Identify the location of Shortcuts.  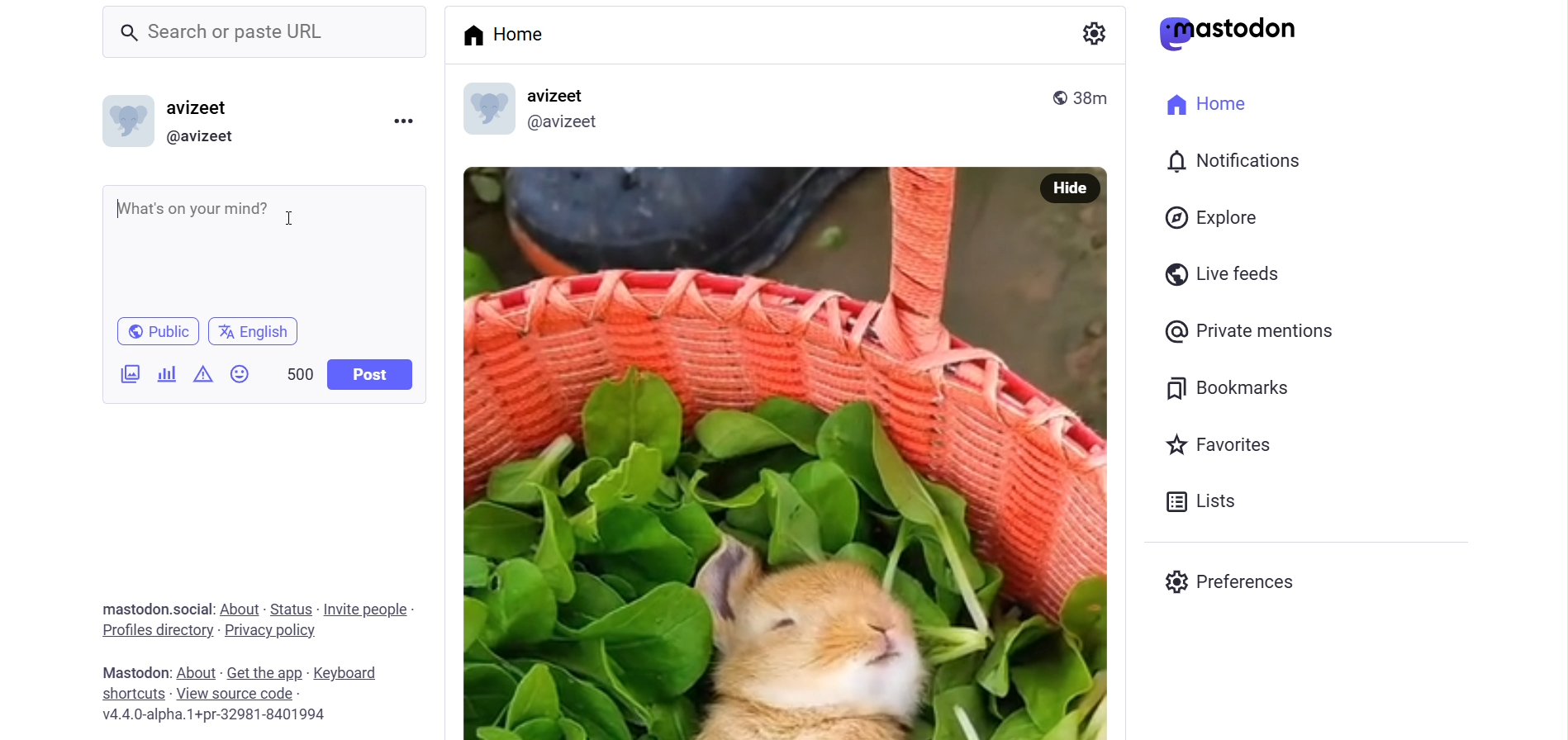
(132, 692).